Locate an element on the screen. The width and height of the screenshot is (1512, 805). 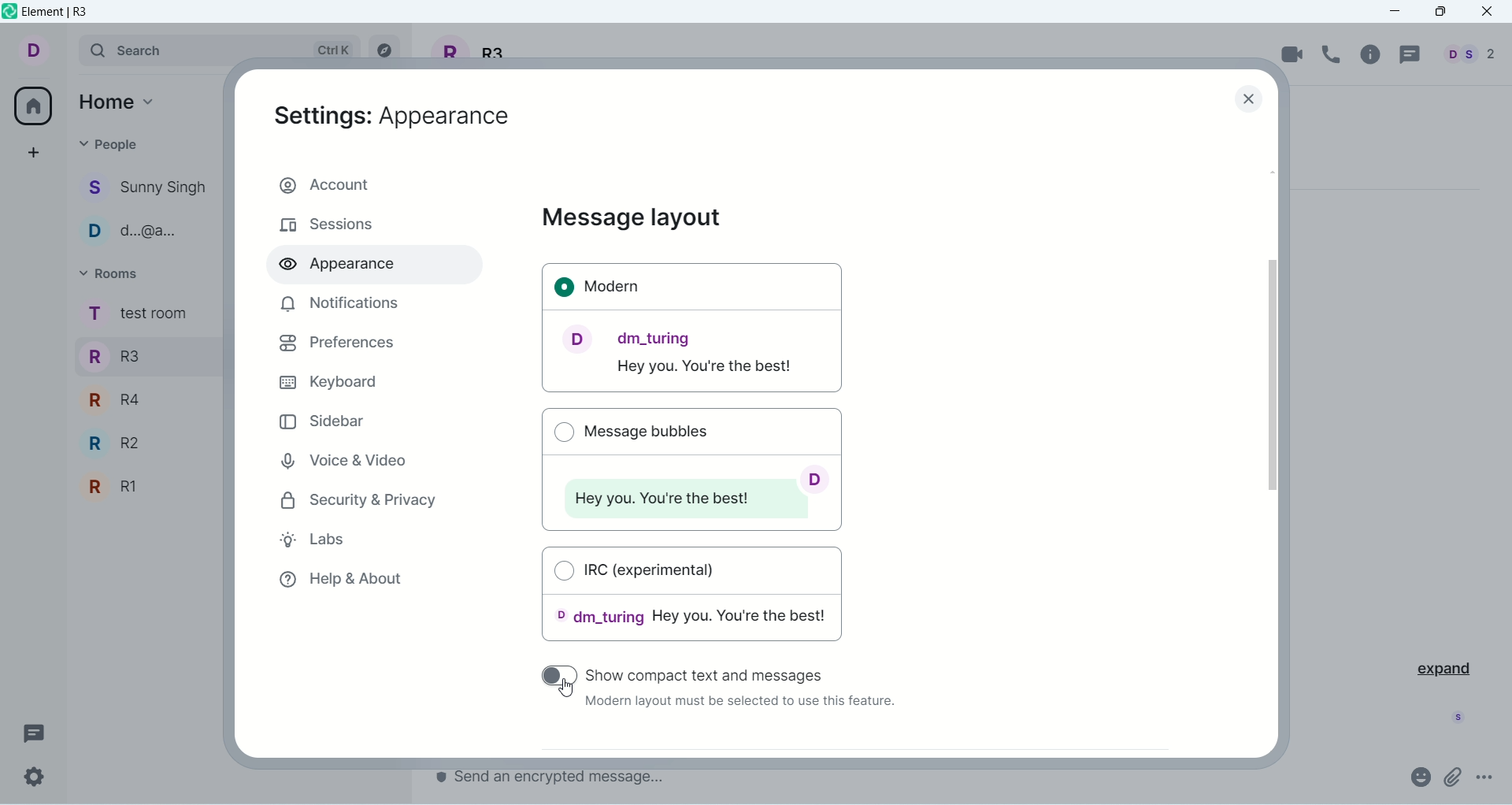
modern is located at coordinates (693, 329).